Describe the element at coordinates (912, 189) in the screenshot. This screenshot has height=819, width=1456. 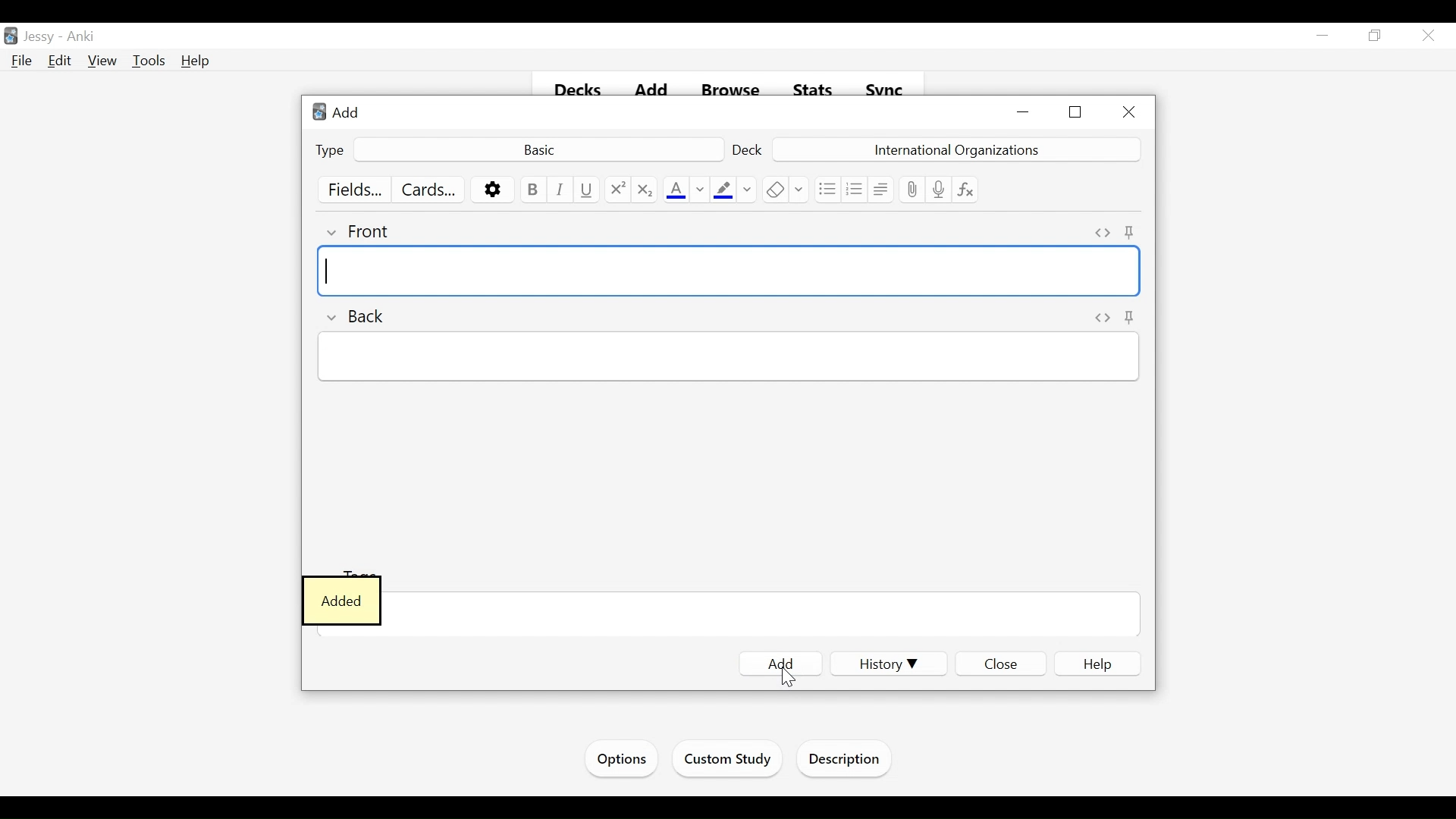
I see `Attach pictures` at that location.